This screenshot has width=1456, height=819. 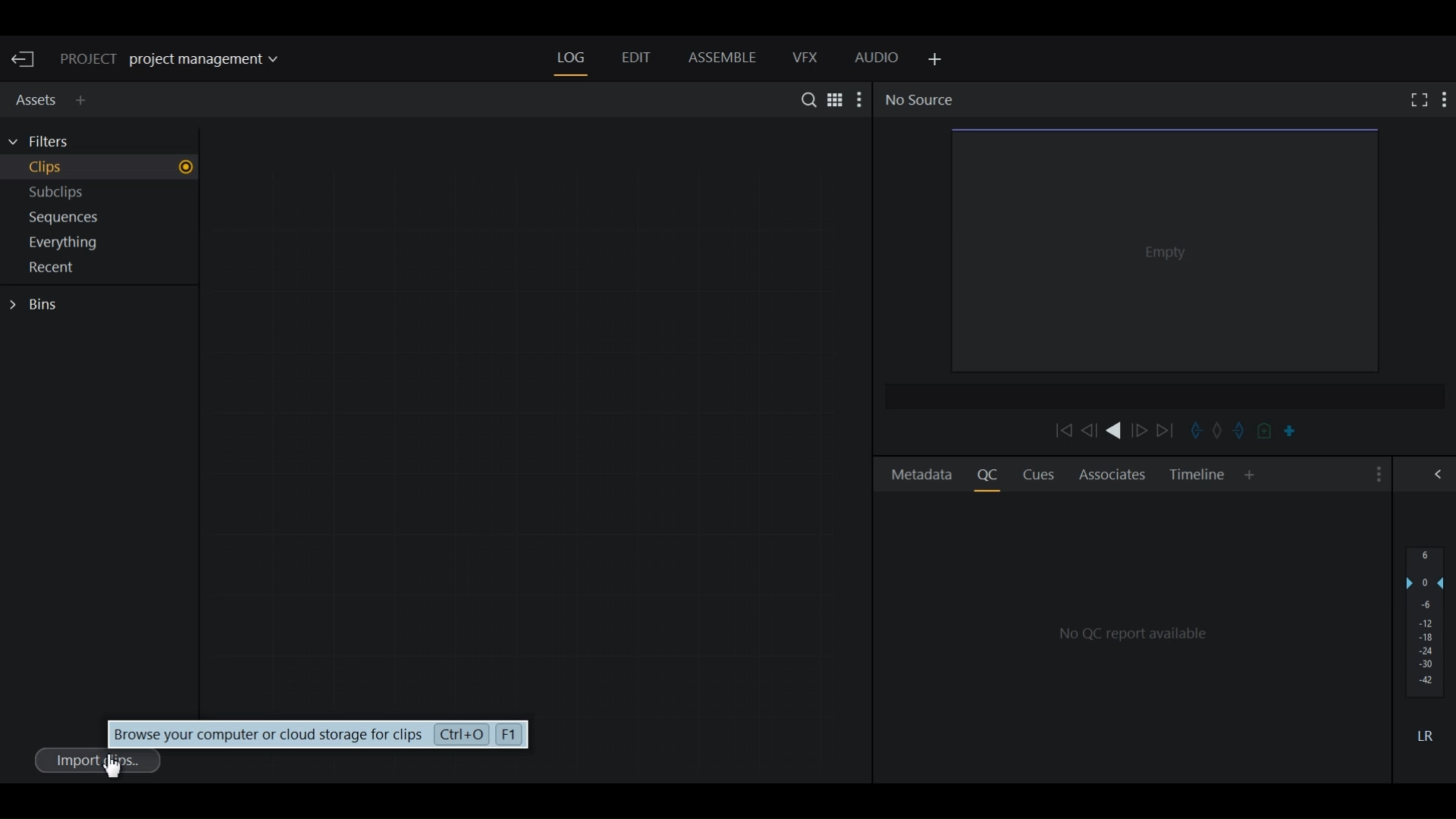 I want to click on Add Panel, so click(x=932, y=60).